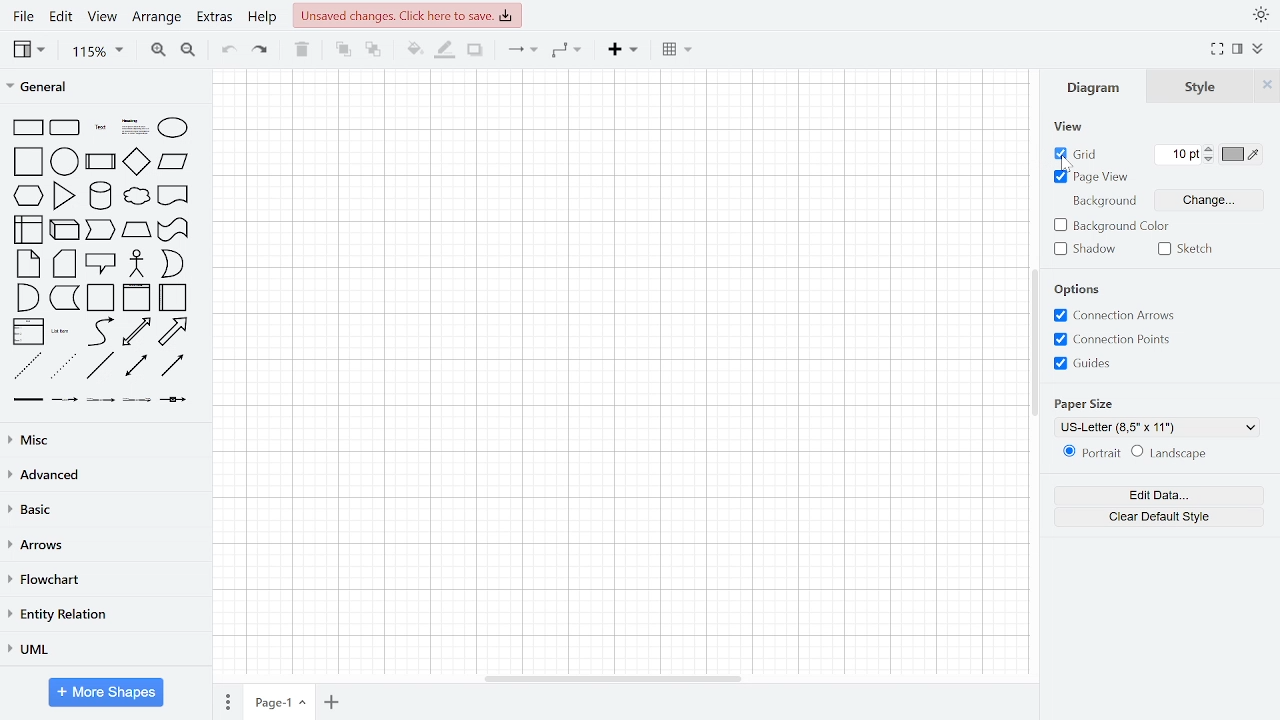 Image resolution: width=1280 pixels, height=720 pixels. Describe the element at coordinates (414, 50) in the screenshot. I see `fill color` at that location.